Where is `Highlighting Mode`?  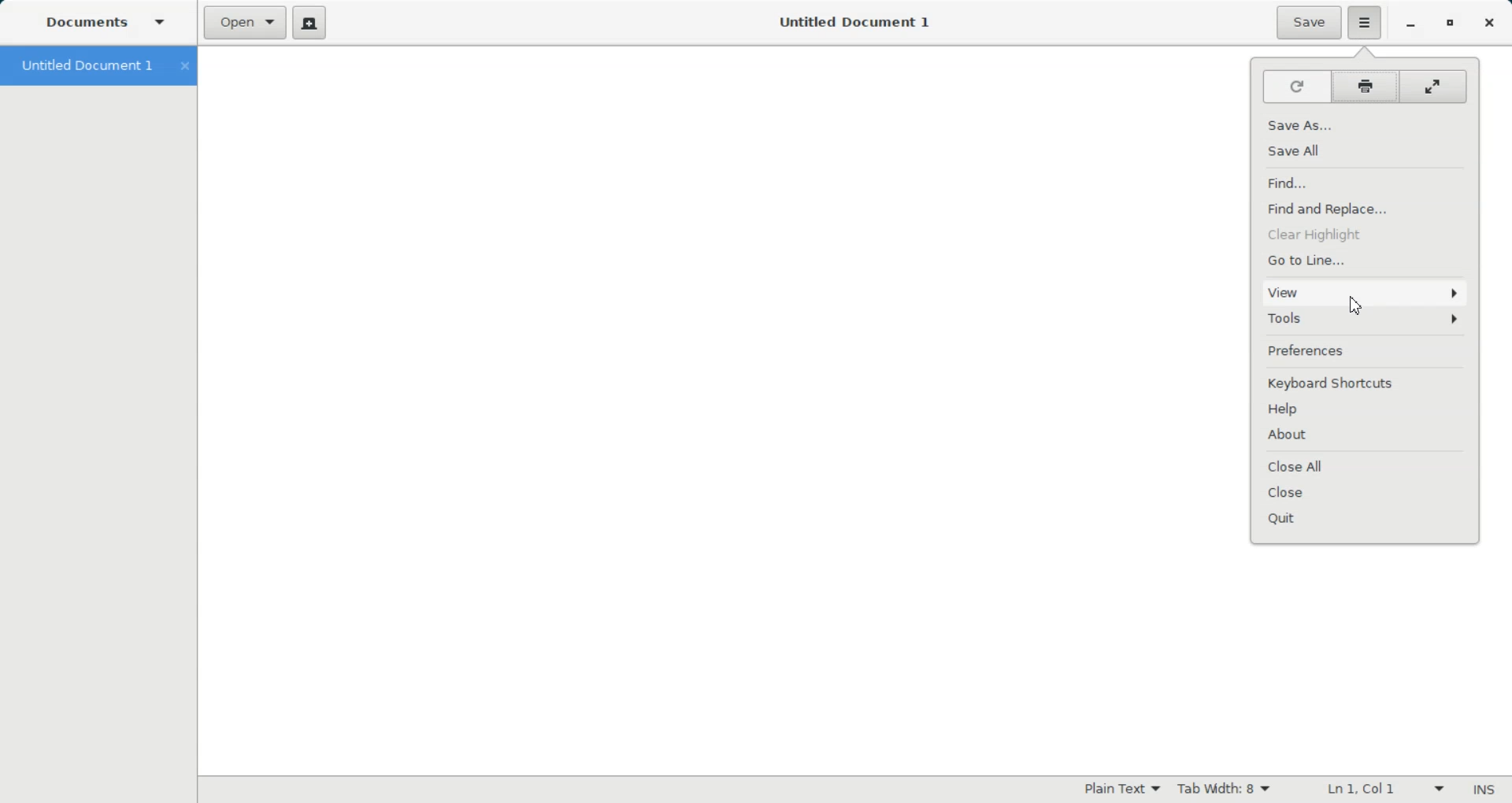 Highlighting Mode is located at coordinates (1122, 790).